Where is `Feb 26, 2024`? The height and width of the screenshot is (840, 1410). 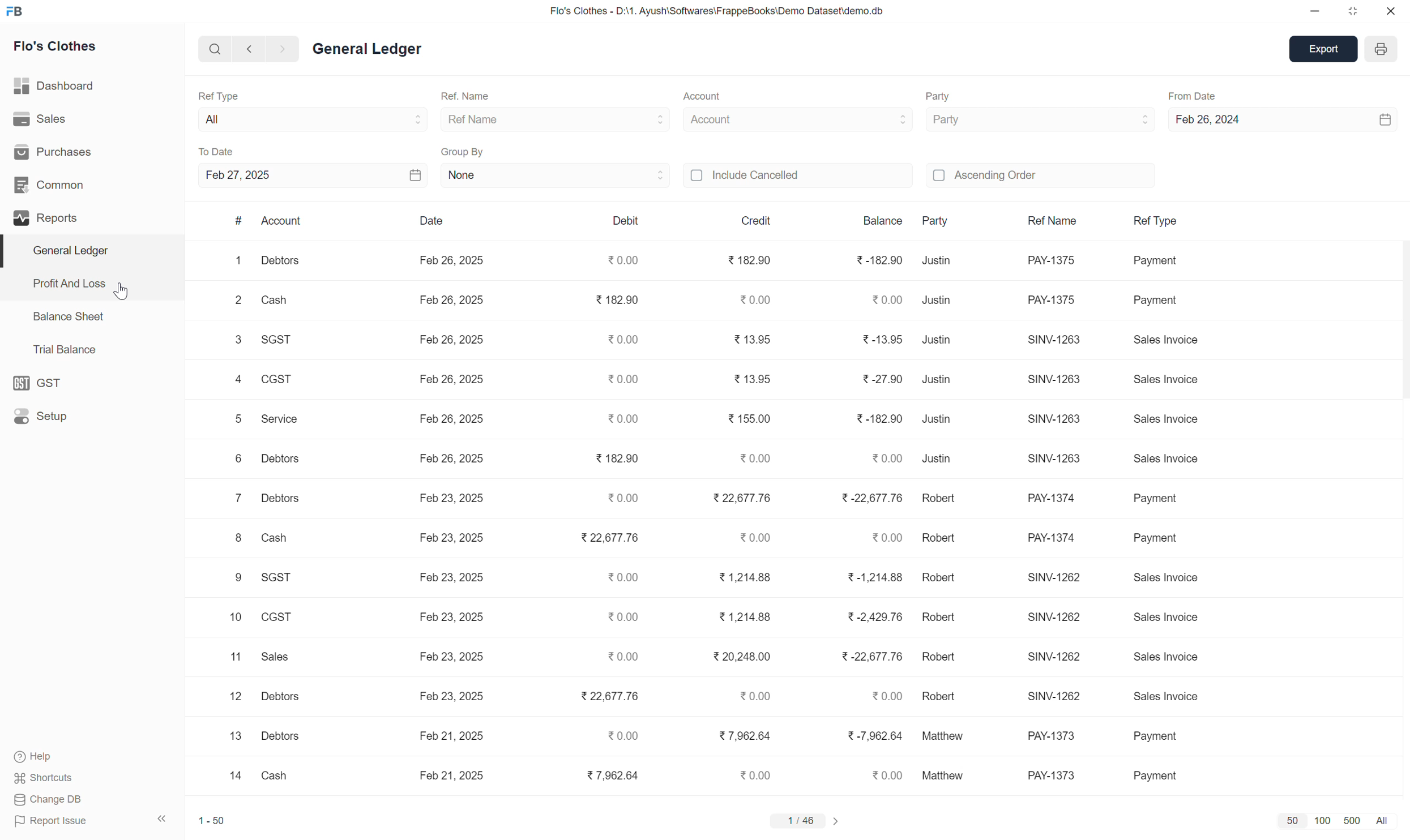
Feb 26, 2024 is located at coordinates (1226, 122).